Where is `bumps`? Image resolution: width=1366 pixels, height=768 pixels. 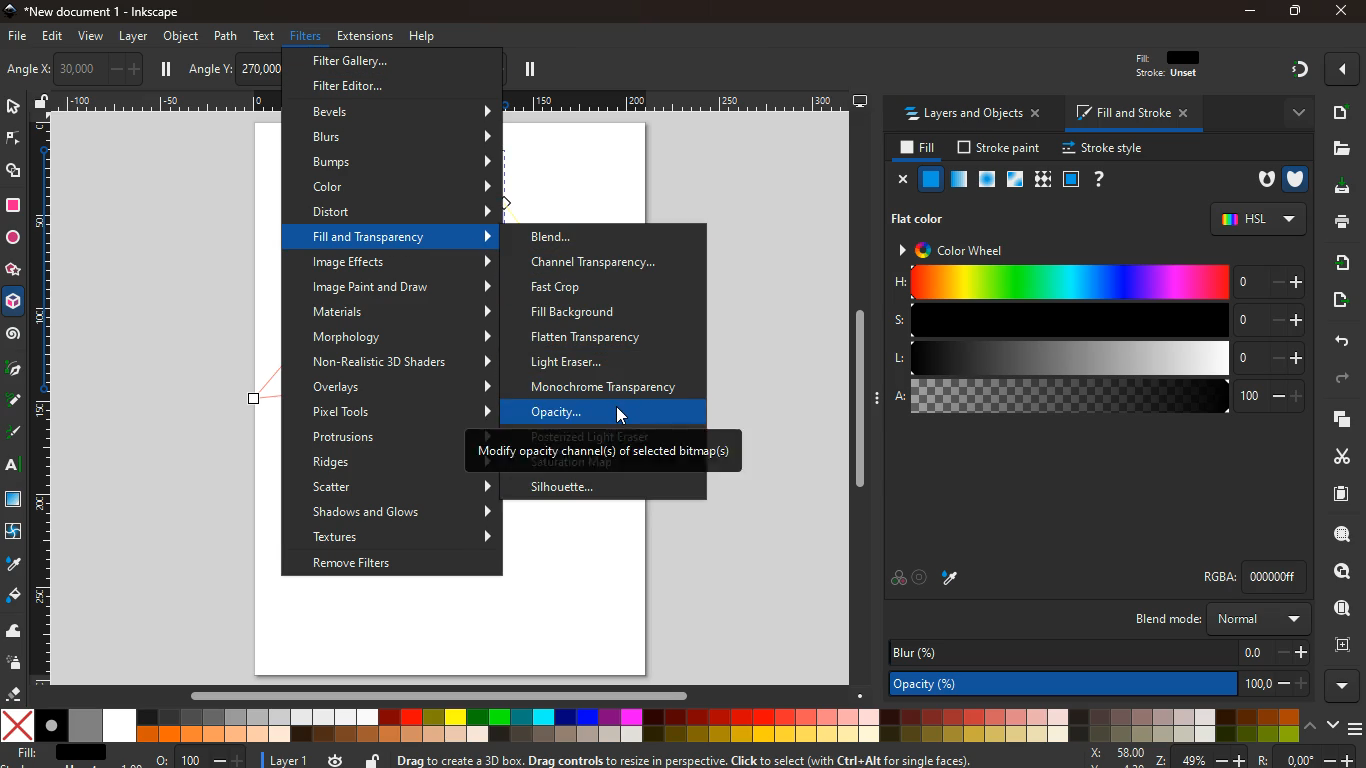
bumps is located at coordinates (402, 162).